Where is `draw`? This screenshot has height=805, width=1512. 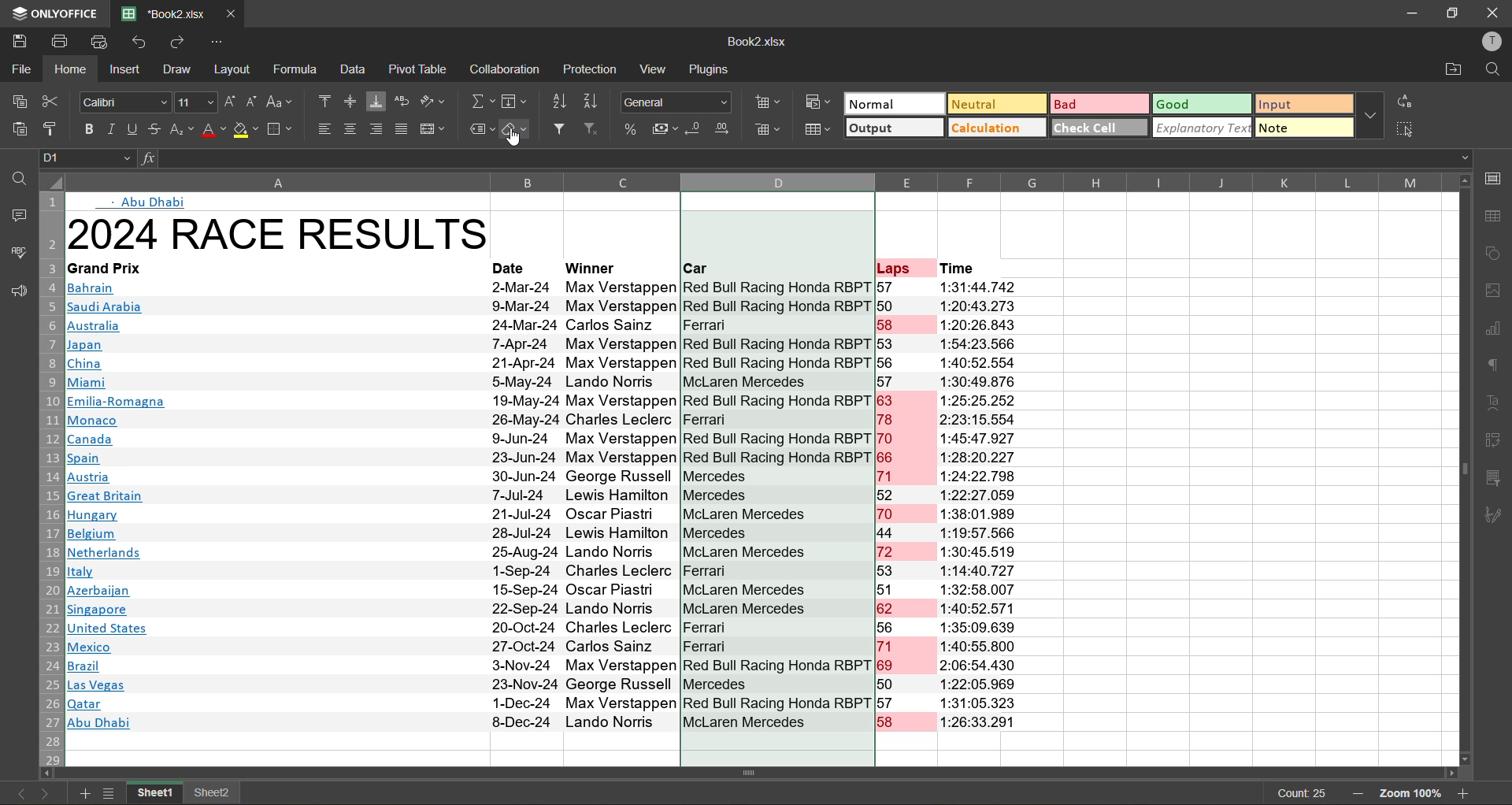
draw is located at coordinates (176, 69).